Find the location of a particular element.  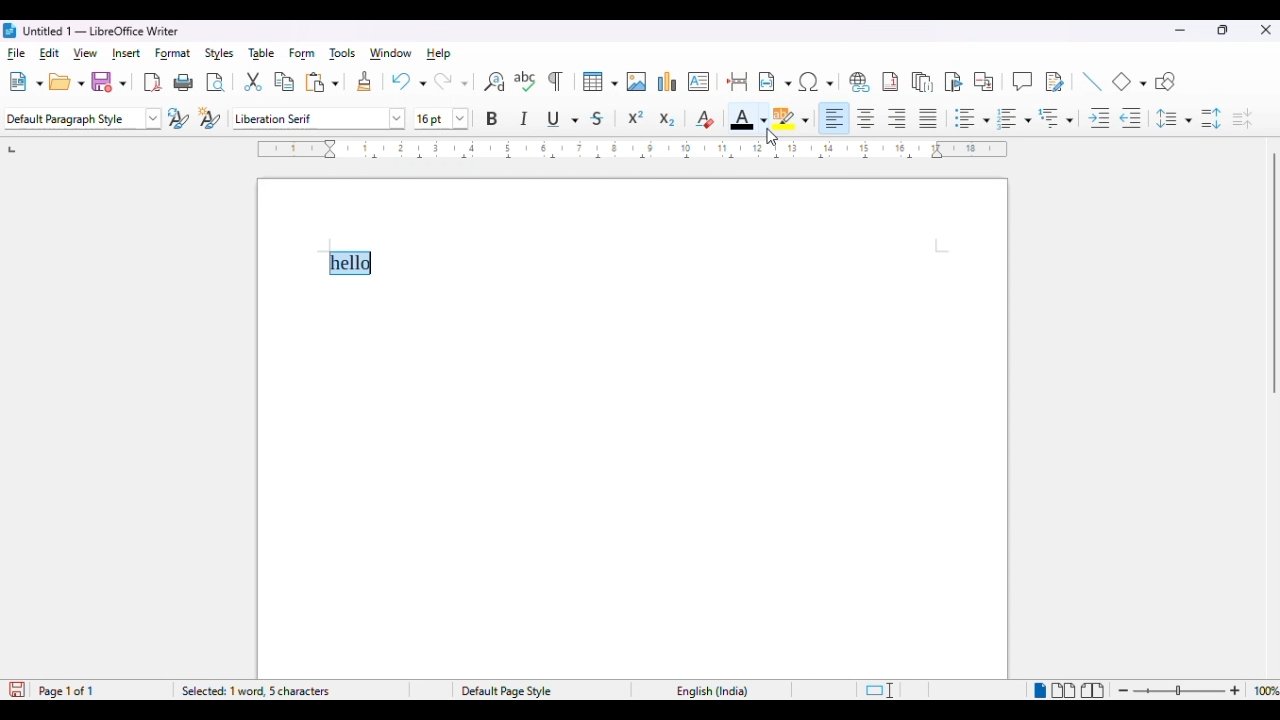

strikethrough is located at coordinates (598, 120).